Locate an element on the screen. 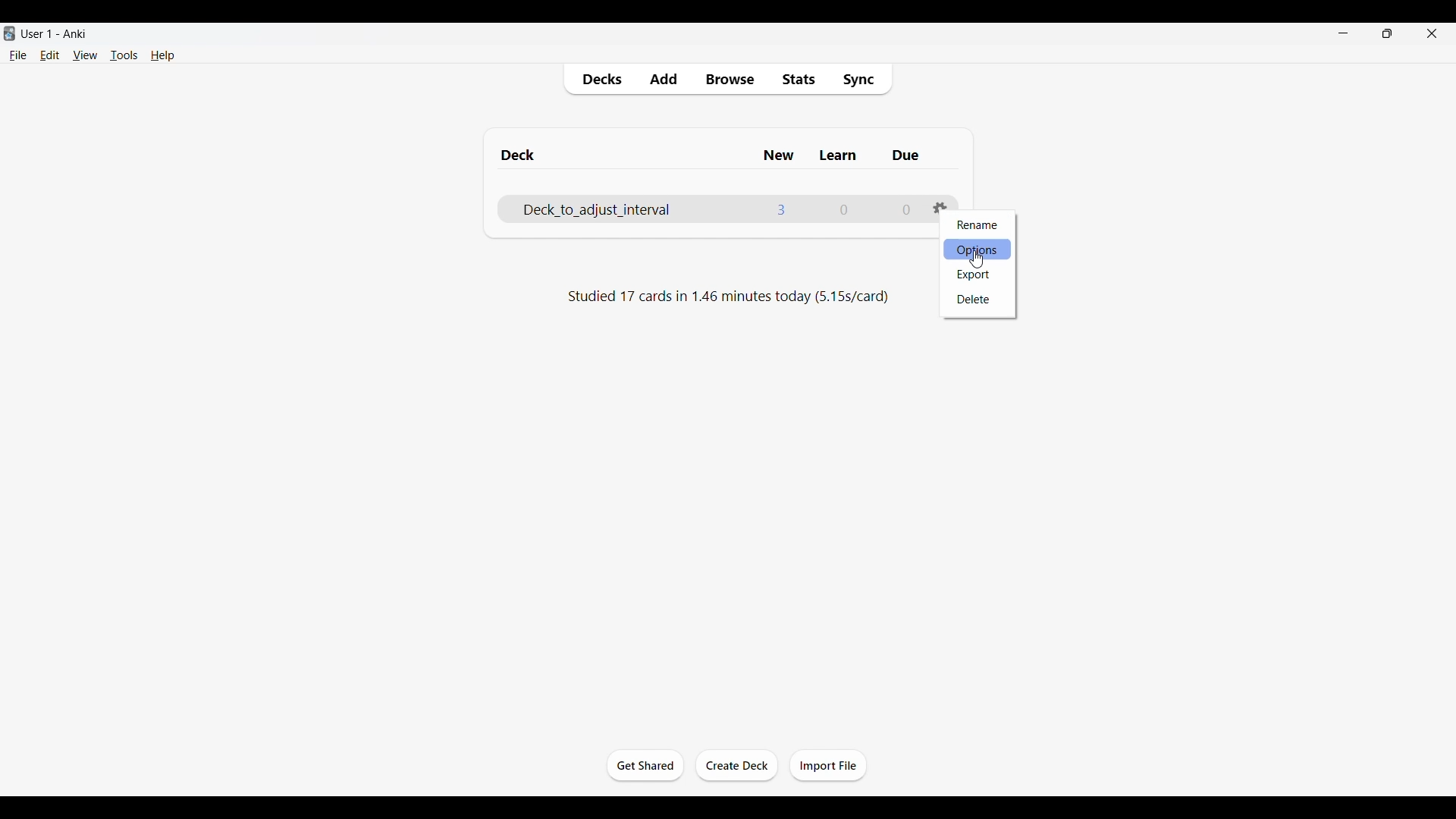  Number of cards to learn is located at coordinates (842, 209).